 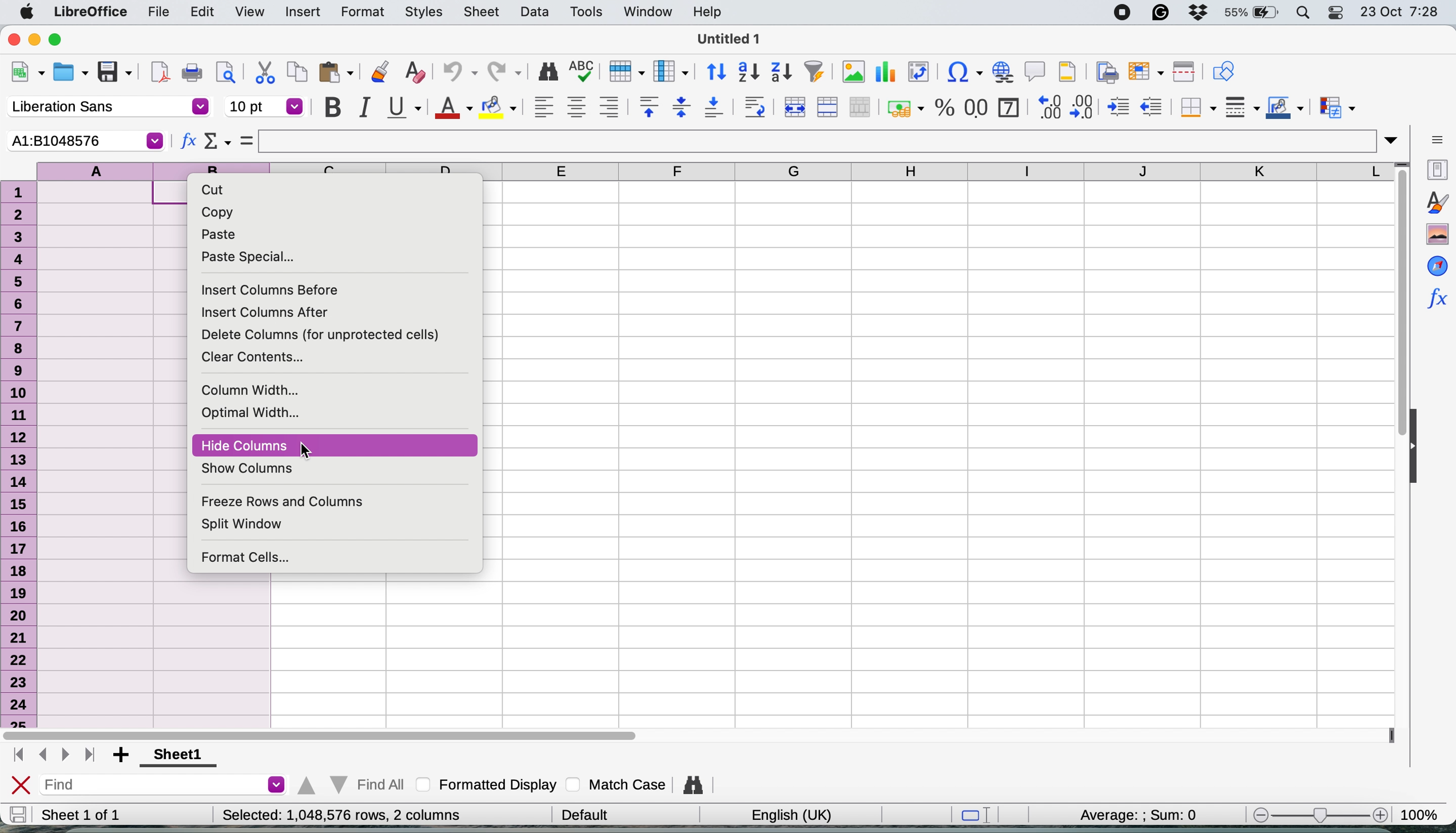 I want to click on align top, so click(x=646, y=108).